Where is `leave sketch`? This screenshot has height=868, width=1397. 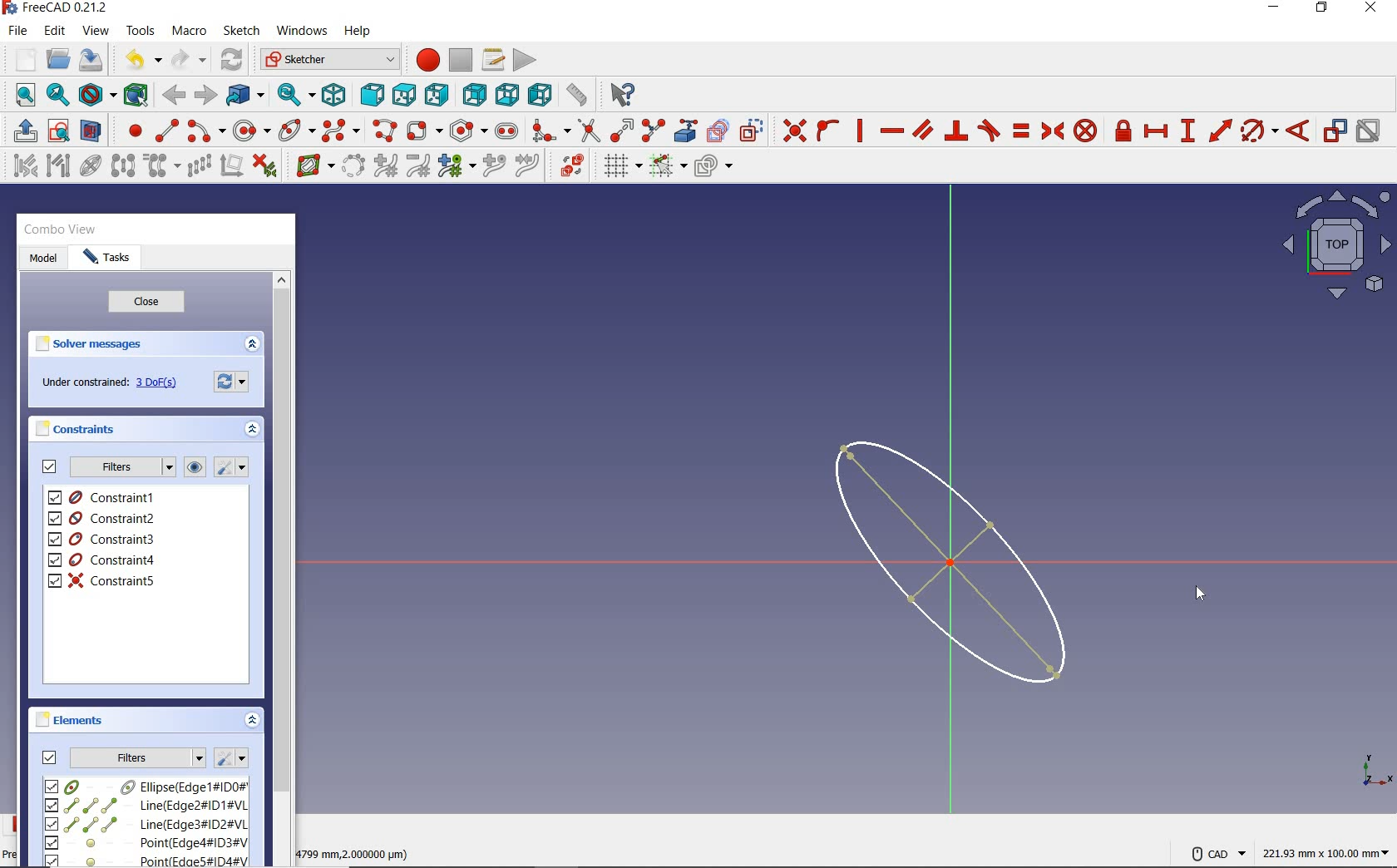
leave sketch is located at coordinates (22, 131).